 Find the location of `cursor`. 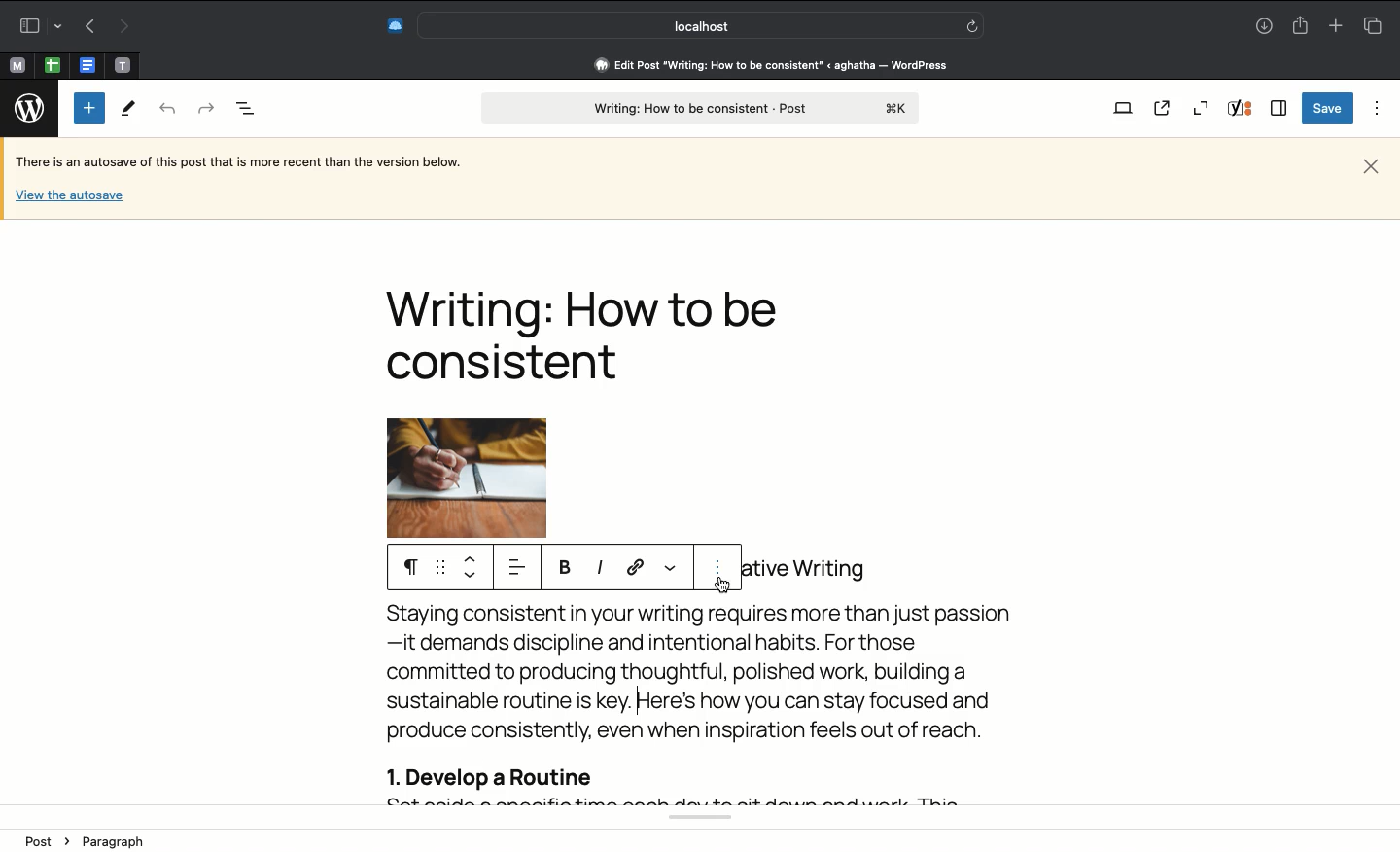

cursor is located at coordinates (721, 586).